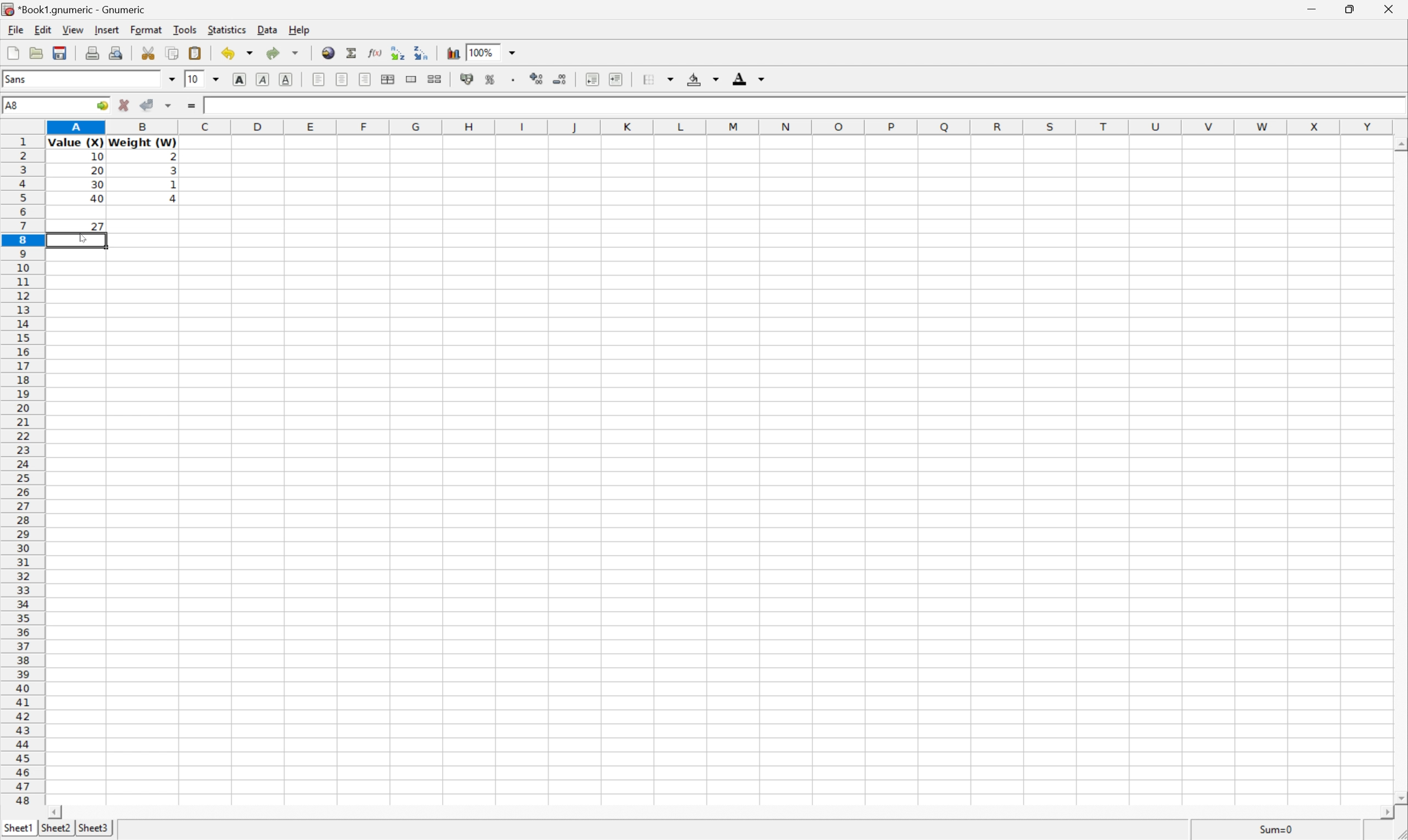 This screenshot has width=1408, height=840. Describe the element at coordinates (343, 80) in the screenshot. I see `Center horizontally` at that location.